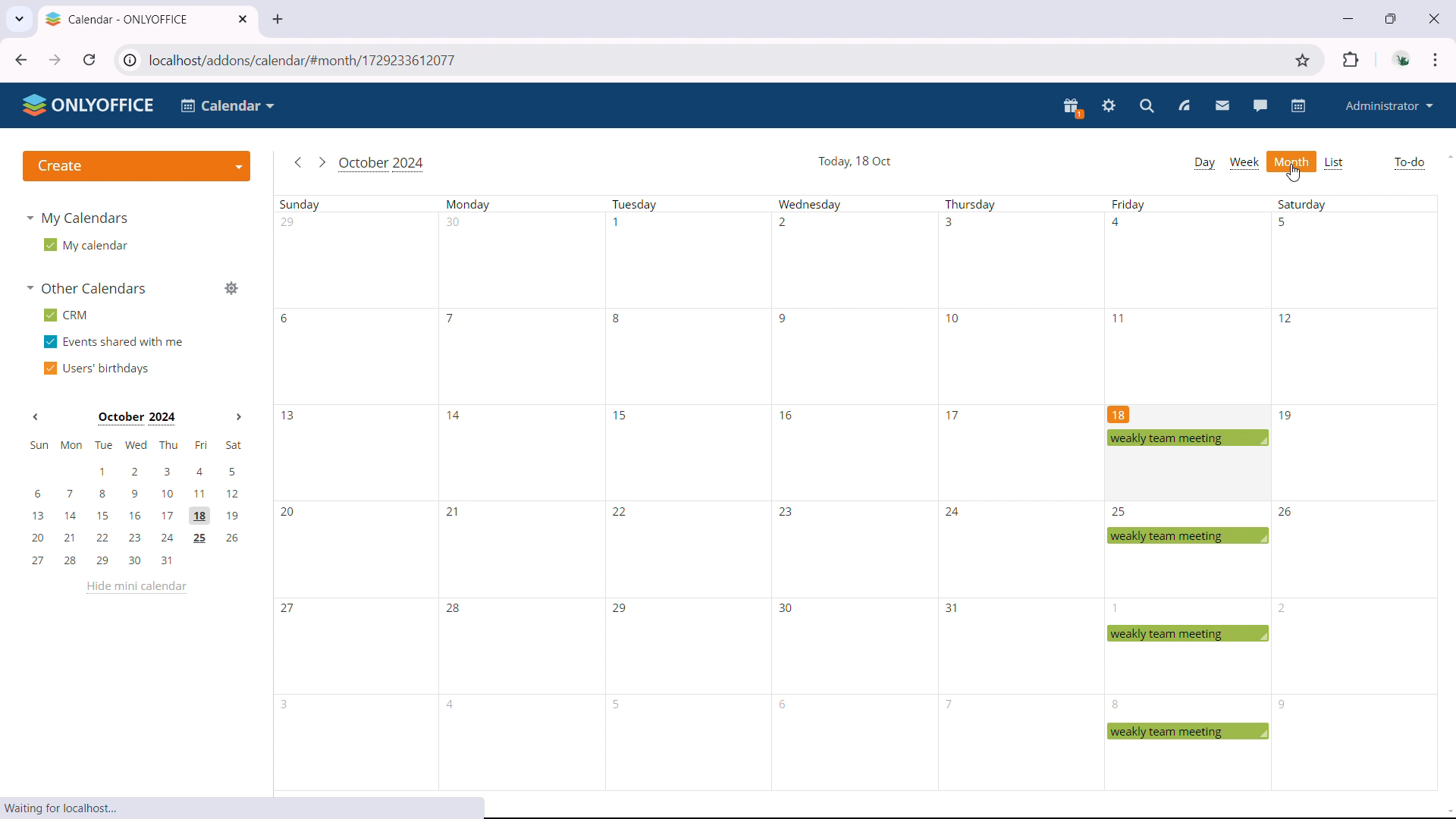 This screenshot has width=1456, height=819. I want to click on my calendars, so click(77, 218).